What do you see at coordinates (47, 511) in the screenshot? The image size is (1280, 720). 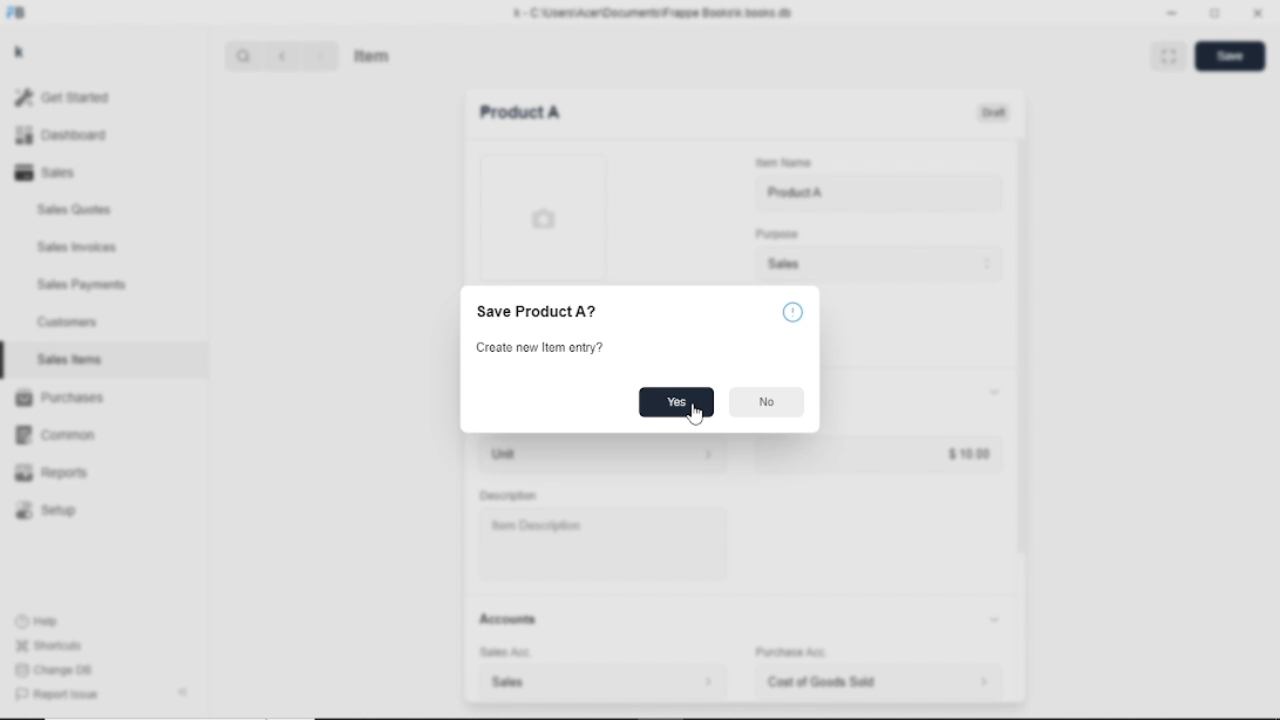 I see `Setup` at bounding box center [47, 511].